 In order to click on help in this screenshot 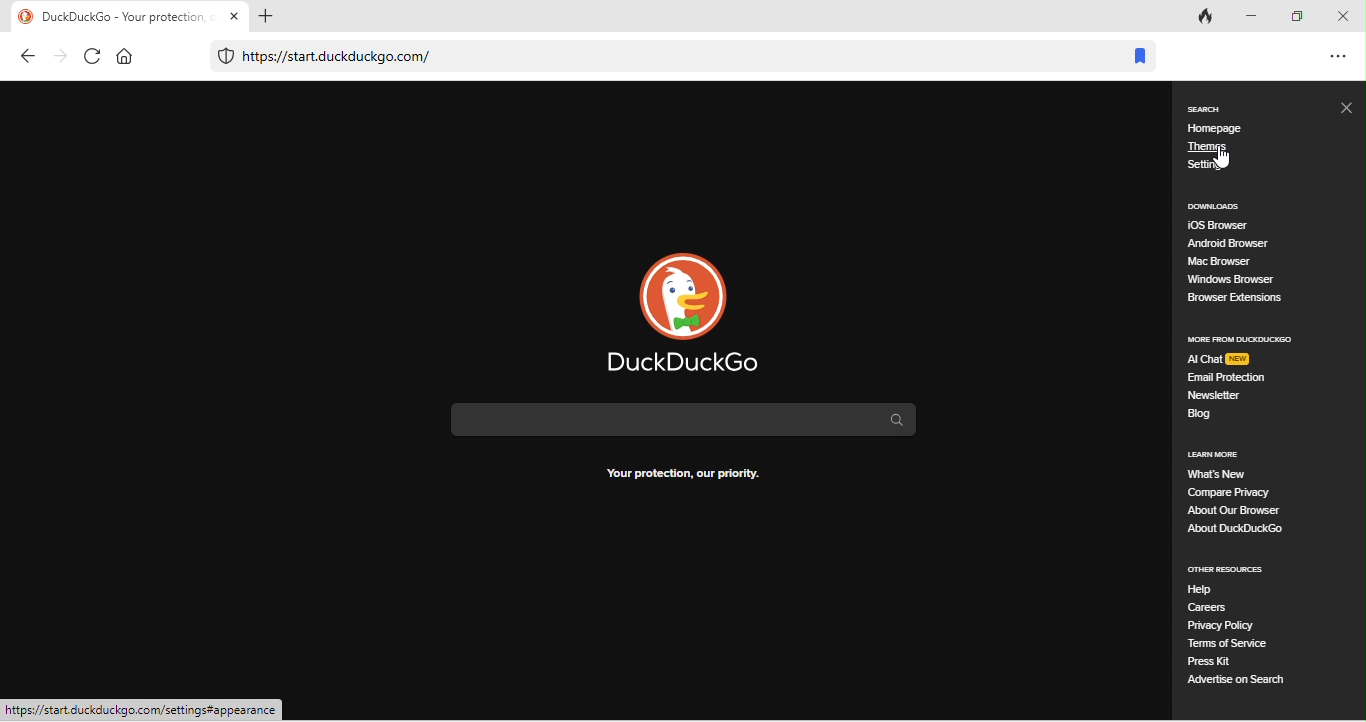, I will do `click(1204, 588)`.